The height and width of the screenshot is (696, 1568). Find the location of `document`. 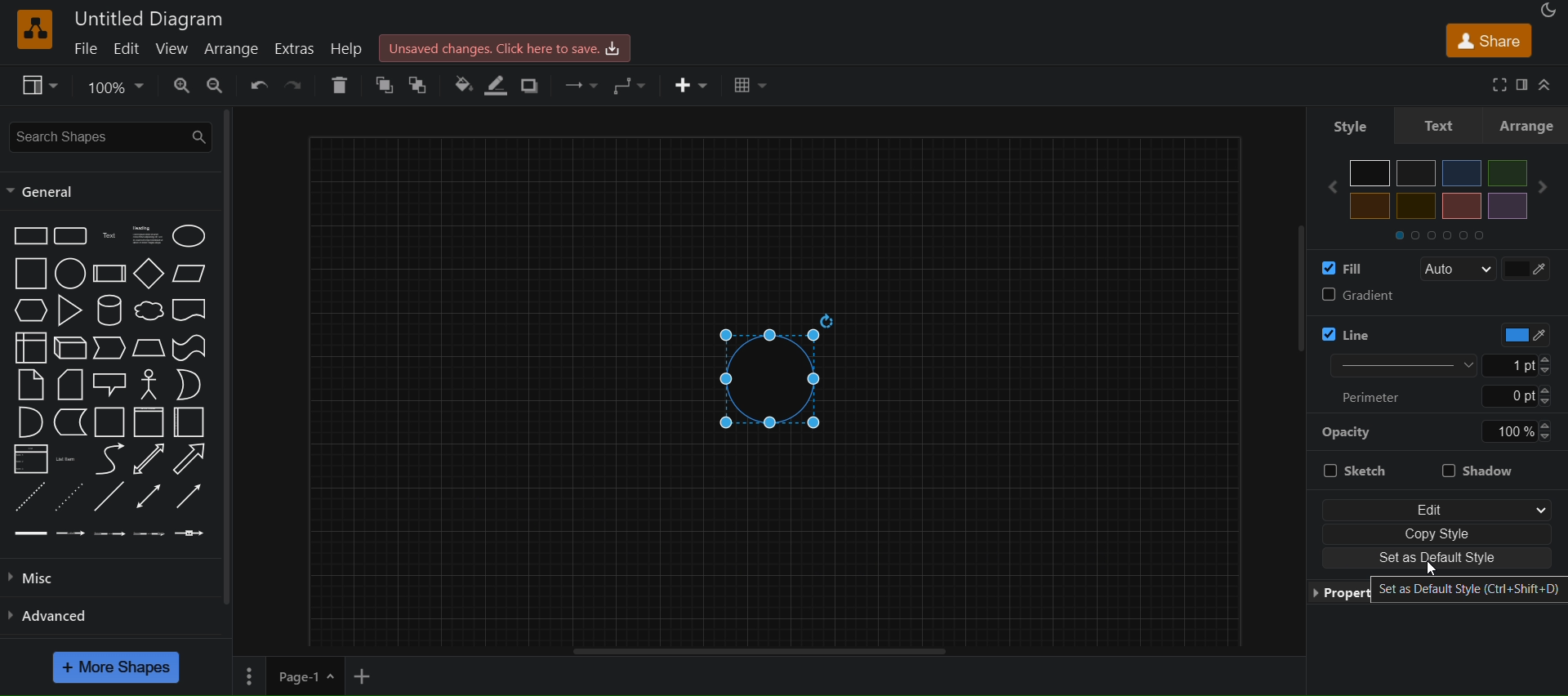

document is located at coordinates (192, 313).